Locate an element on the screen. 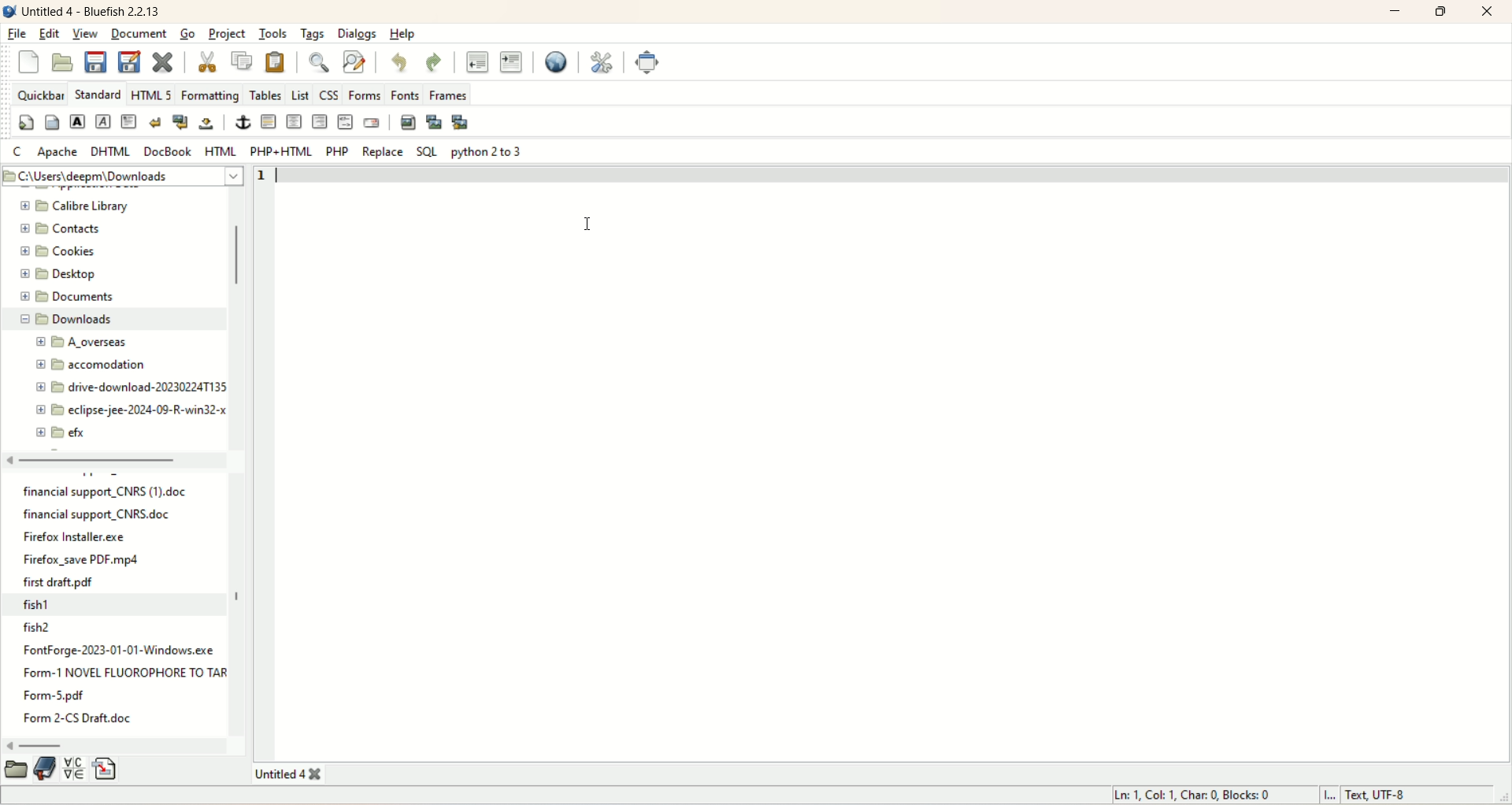 The image size is (1512, 805). indent is located at coordinates (511, 63).